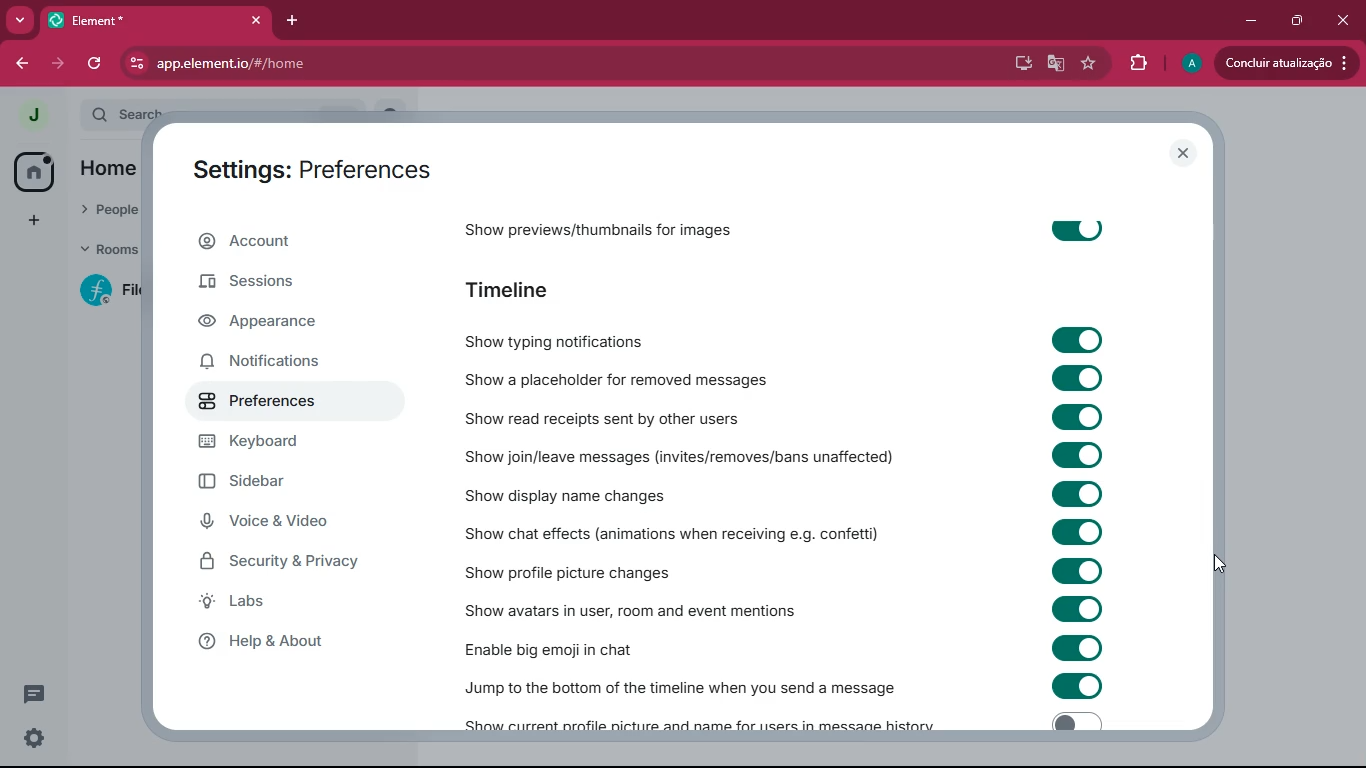 The image size is (1366, 768). I want to click on cursor, so click(1223, 566).